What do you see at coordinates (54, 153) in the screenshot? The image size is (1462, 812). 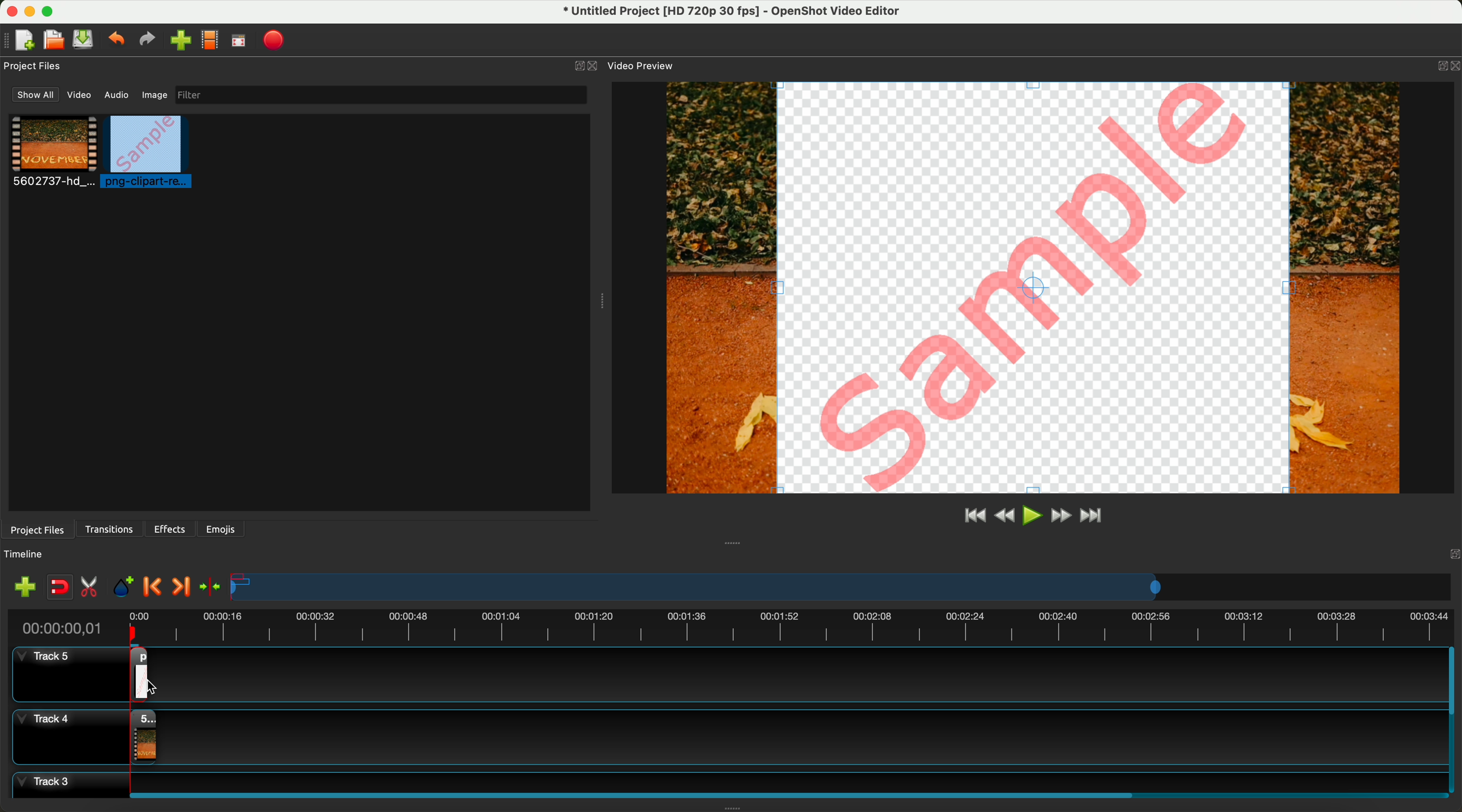 I see `video` at bounding box center [54, 153].